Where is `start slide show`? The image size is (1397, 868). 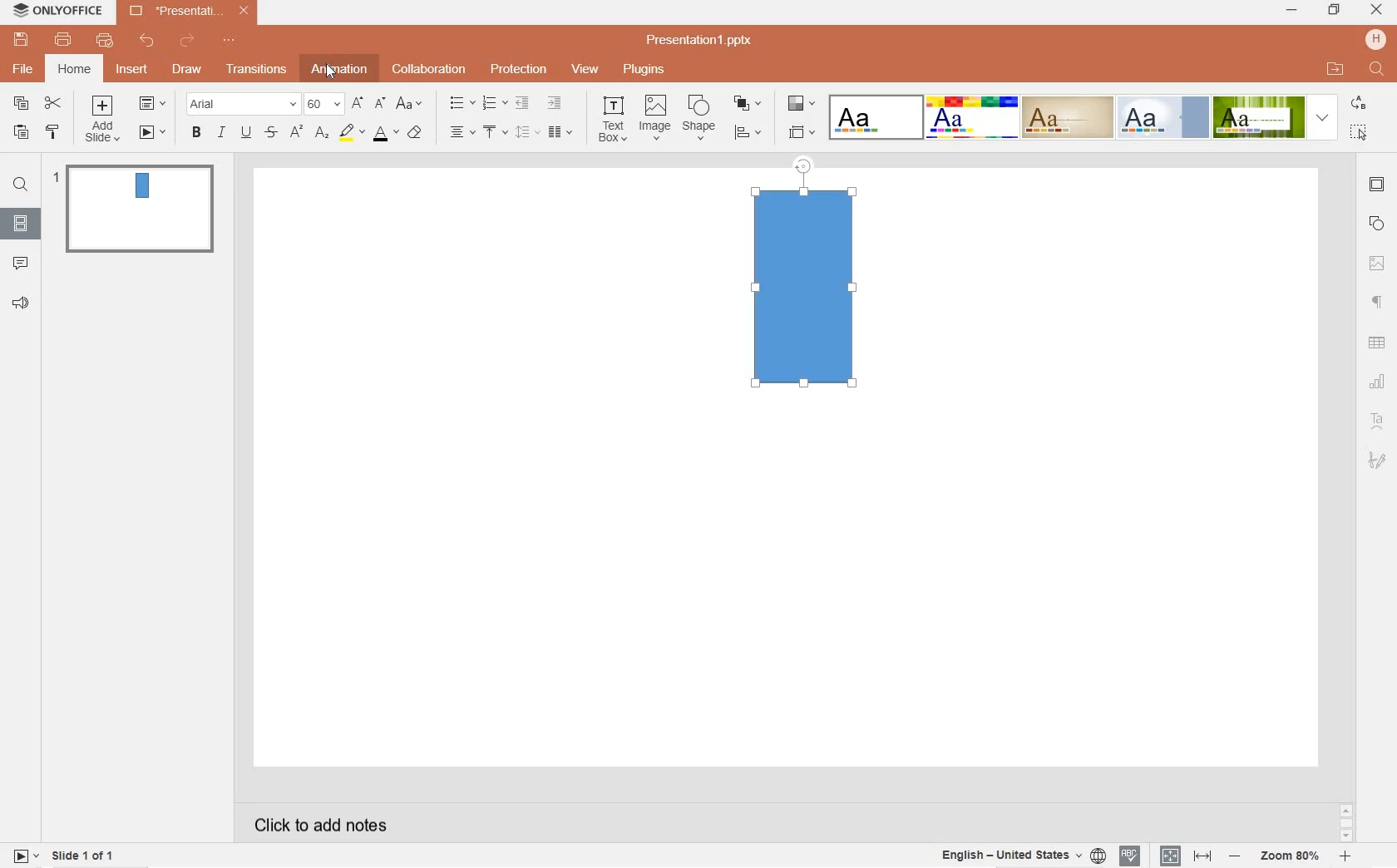 start slide show is located at coordinates (153, 133).